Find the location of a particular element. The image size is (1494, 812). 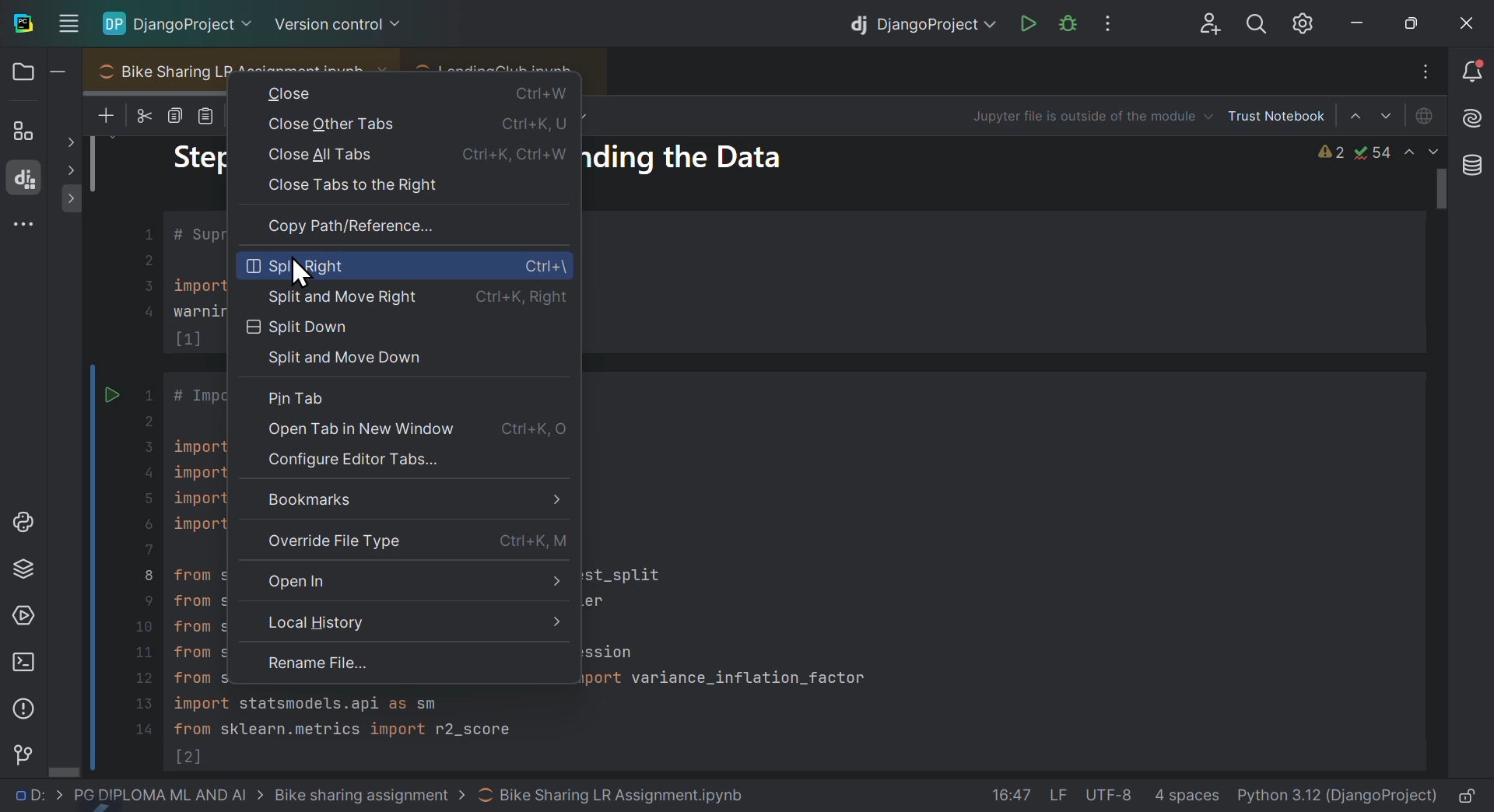

Python lab is located at coordinates (30, 514).